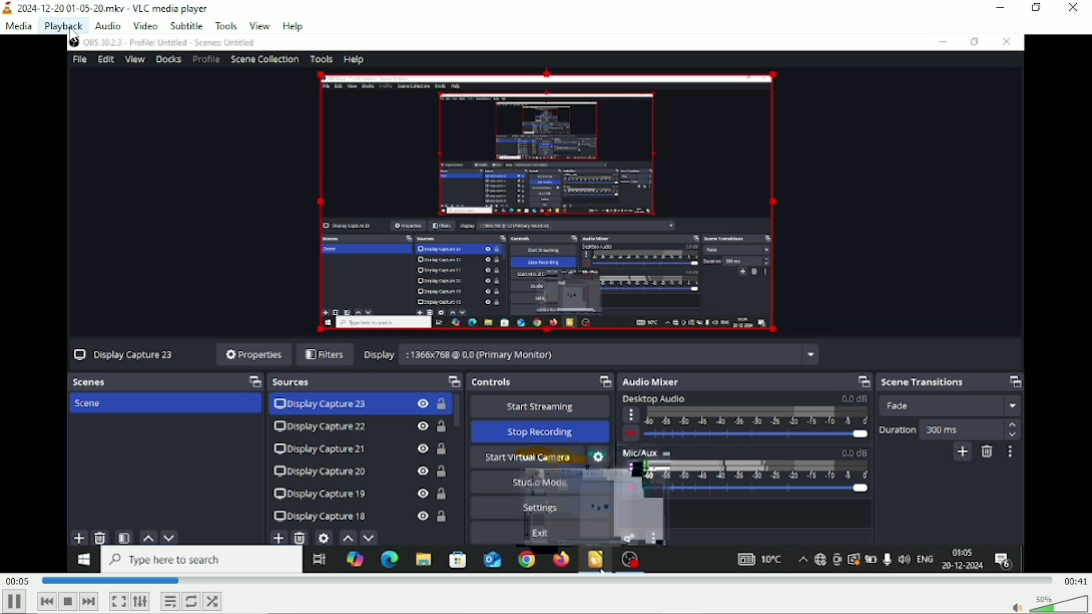 This screenshot has height=614, width=1092. I want to click on Cursor, so click(79, 37).